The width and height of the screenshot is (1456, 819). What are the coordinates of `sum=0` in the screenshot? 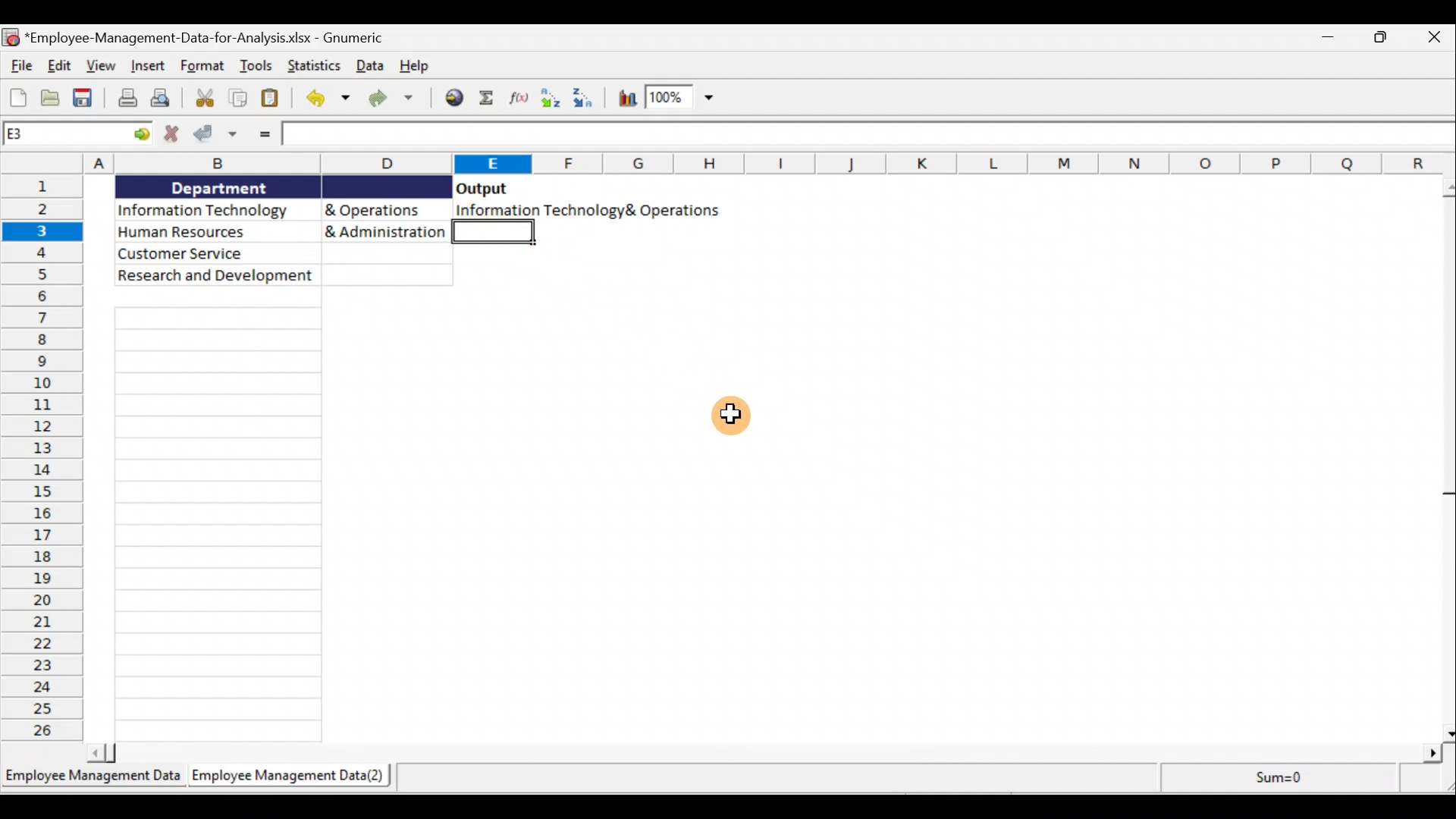 It's located at (1271, 777).